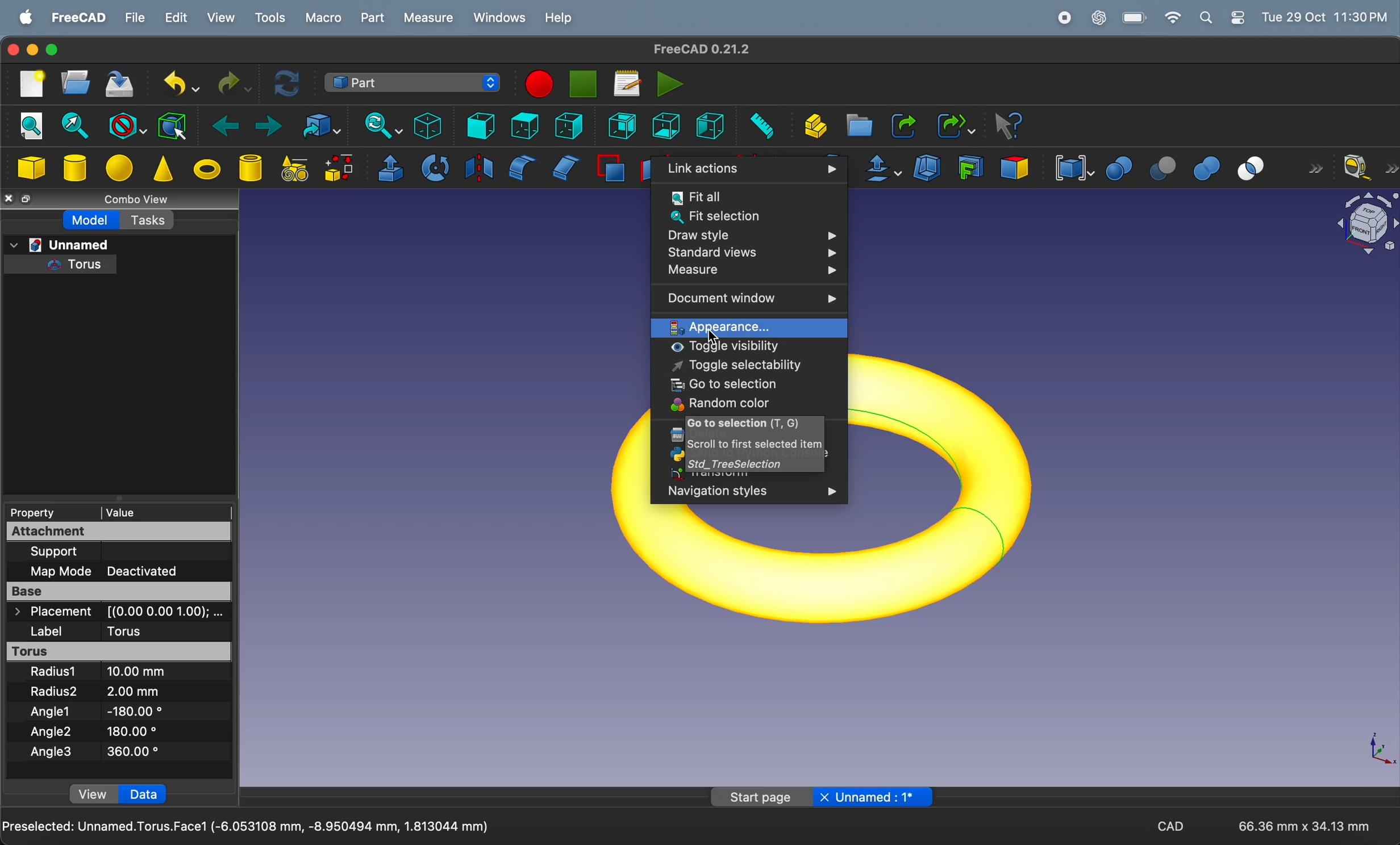 The image size is (1400, 845). Describe the element at coordinates (219, 124) in the screenshot. I see `backward` at that location.